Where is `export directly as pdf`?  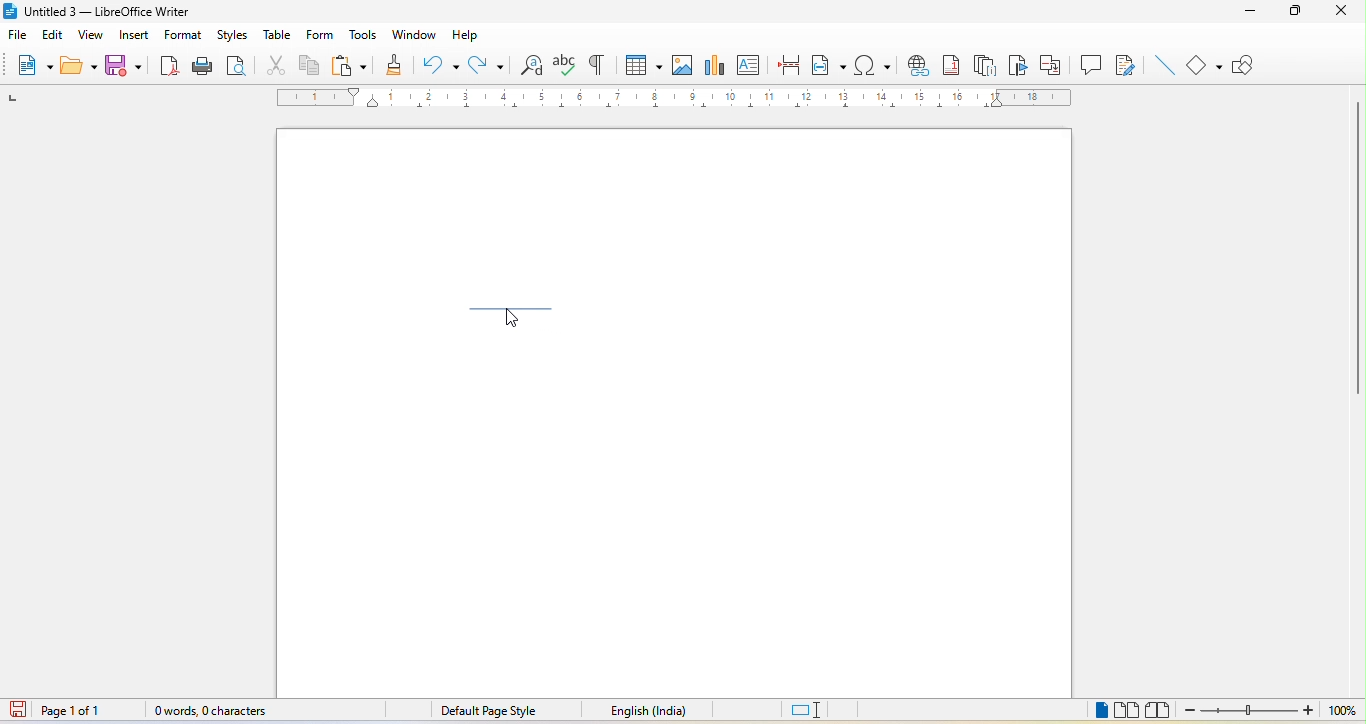 export directly as pdf is located at coordinates (167, 65).